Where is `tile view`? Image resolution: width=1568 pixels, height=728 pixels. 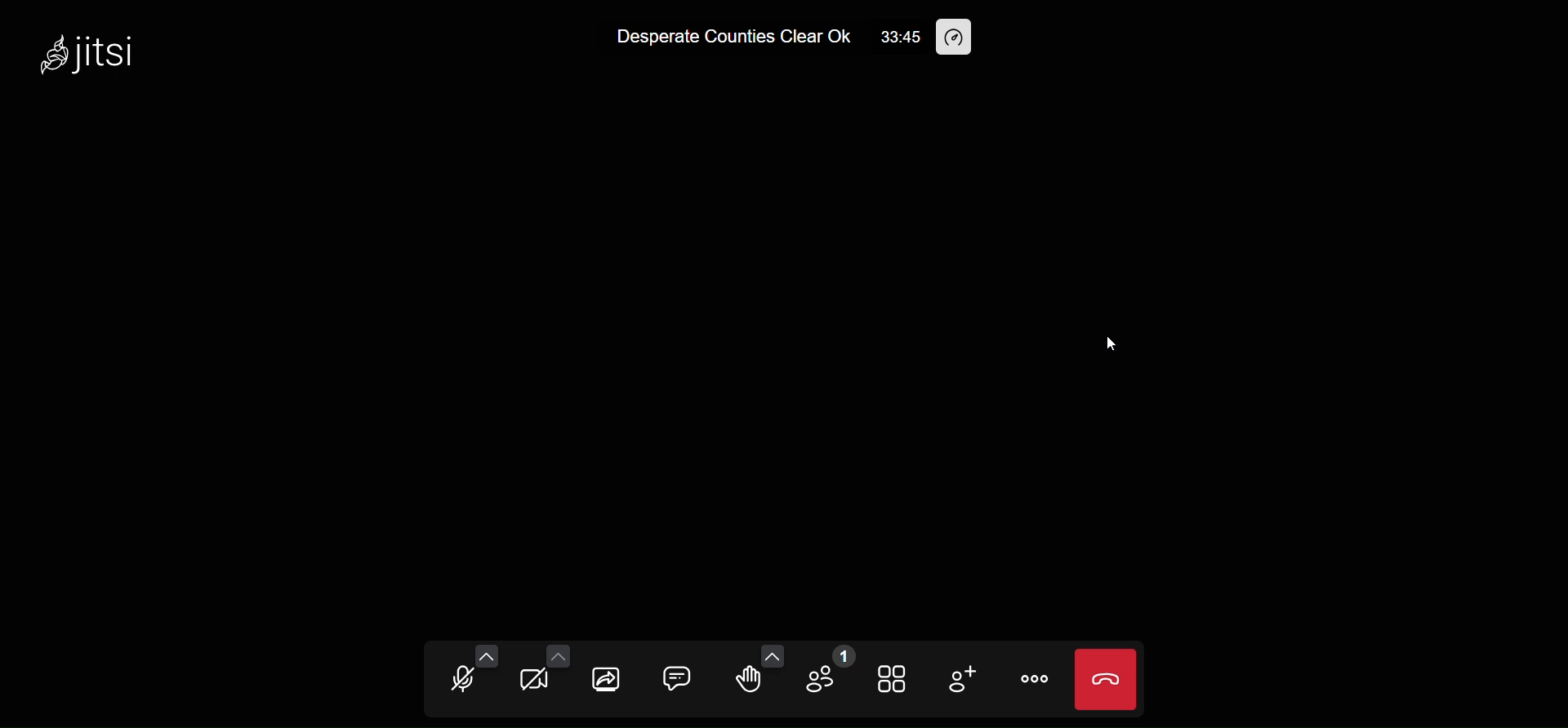 tile view is located at coordinates (892, 678).